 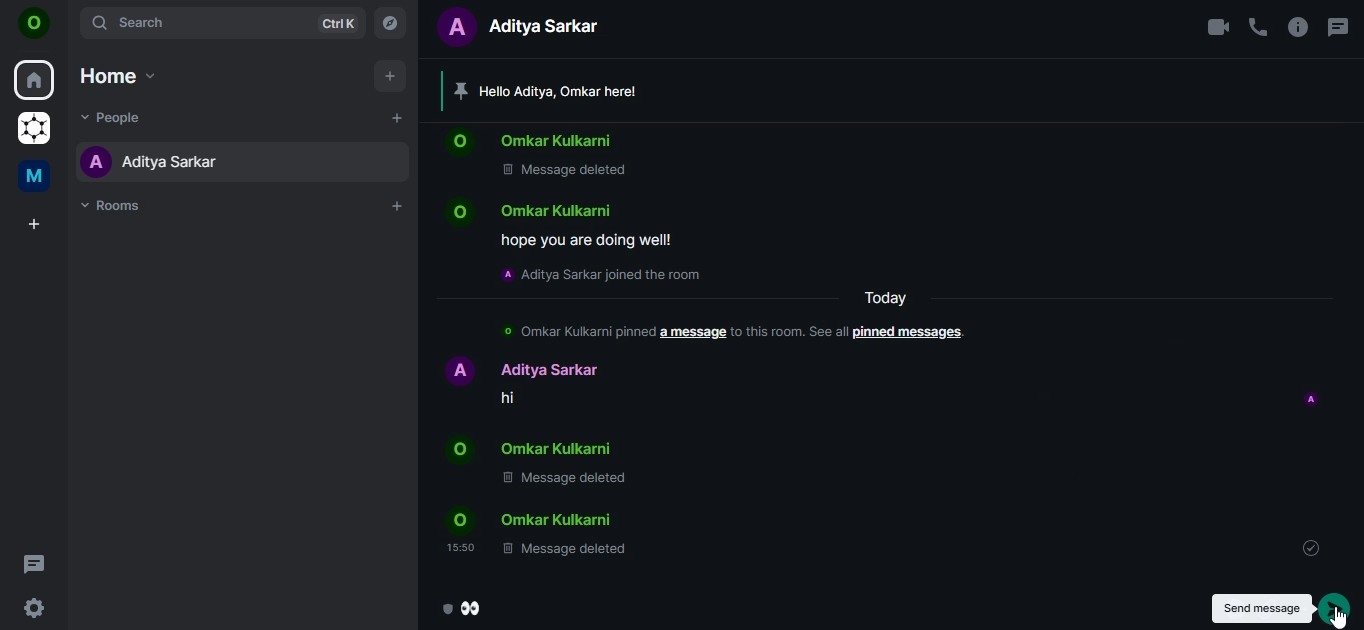 What do you see at coordinates (32, 176) in the screenshot?
I see `me` at bounding box center [32, 176].